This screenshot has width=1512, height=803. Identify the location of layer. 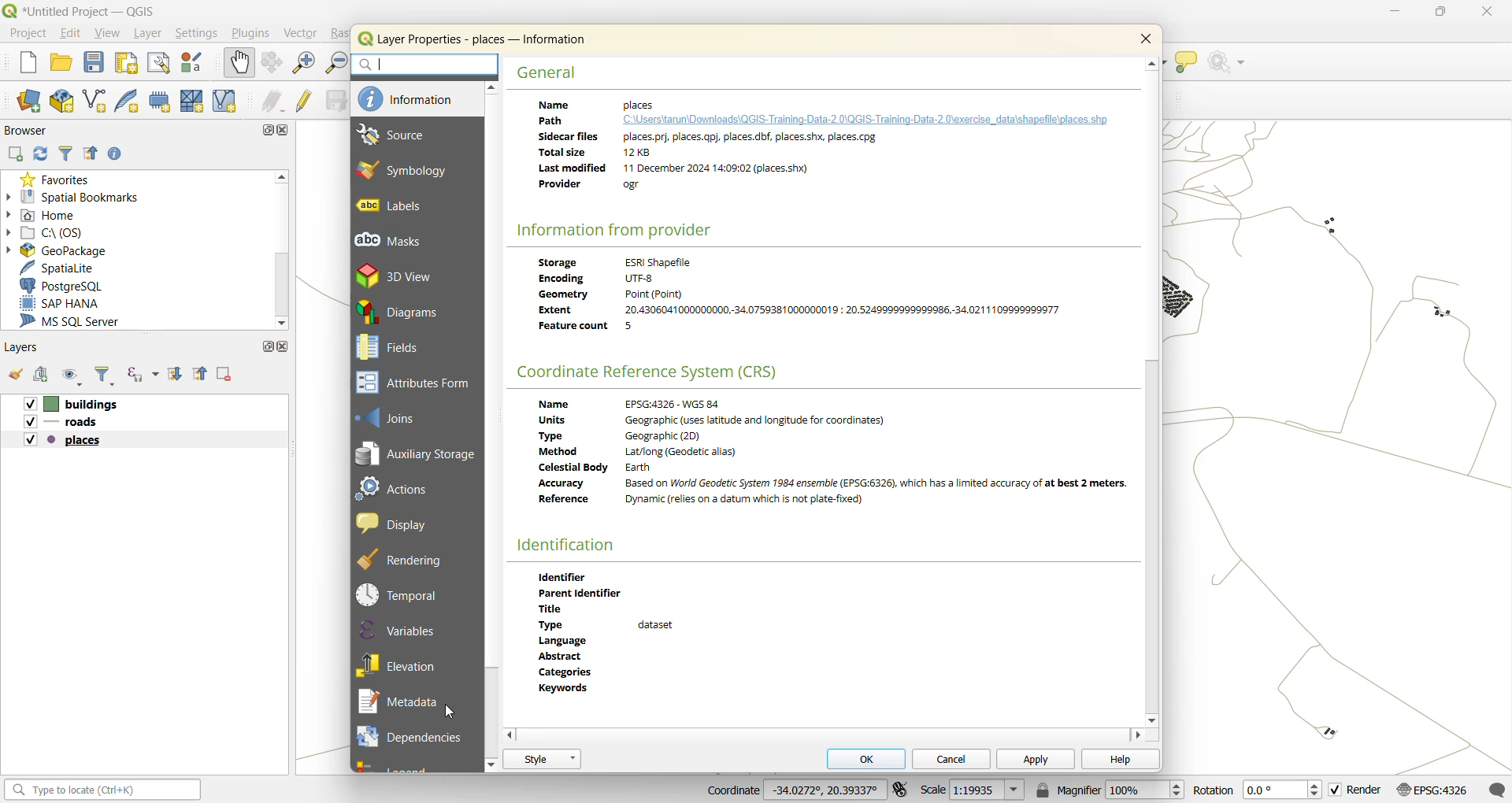
(152, 33).